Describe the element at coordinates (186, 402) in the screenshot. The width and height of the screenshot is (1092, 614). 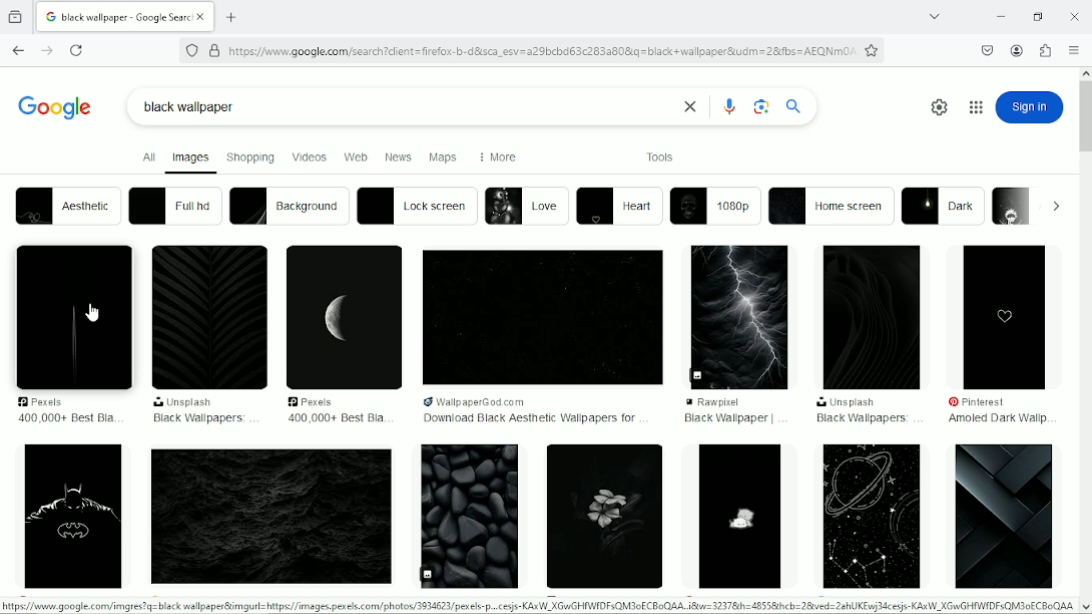
I see `unsplash` at that location.